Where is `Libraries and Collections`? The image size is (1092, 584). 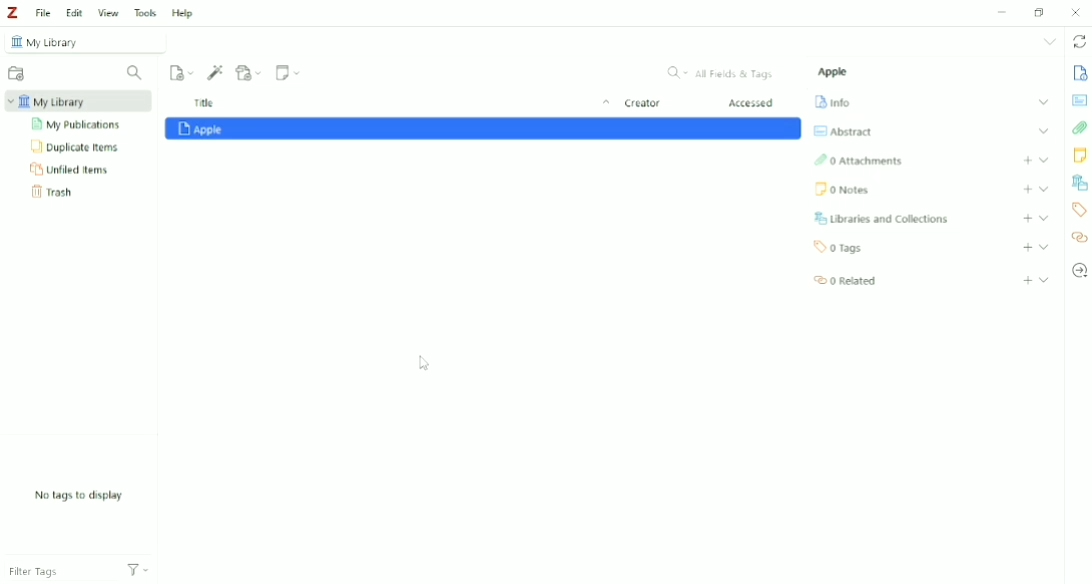 Libraries and Collections is located at coordinates (884, 218).